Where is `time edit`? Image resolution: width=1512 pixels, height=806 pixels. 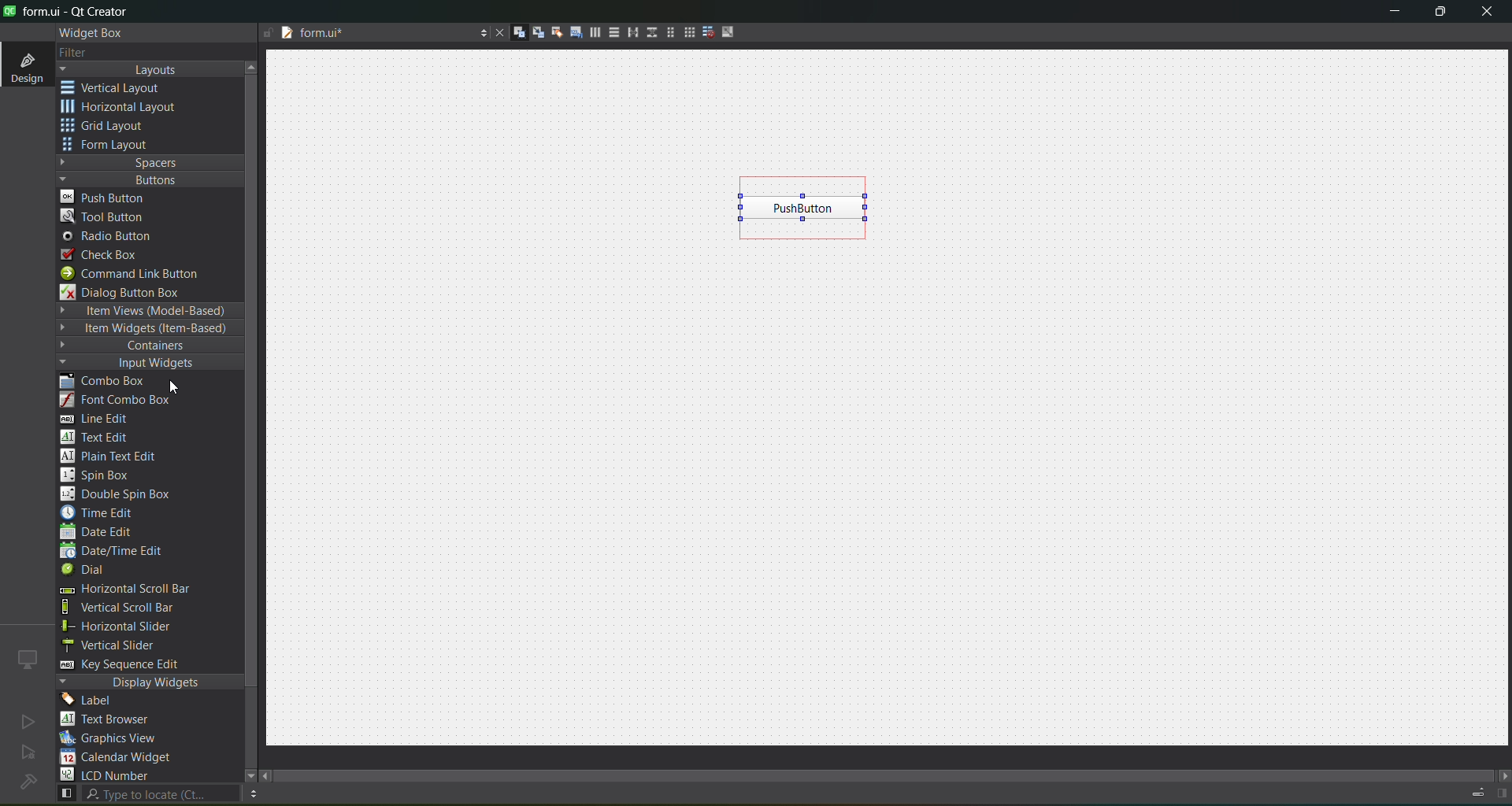
time edit is located at coordinates (102, 512).